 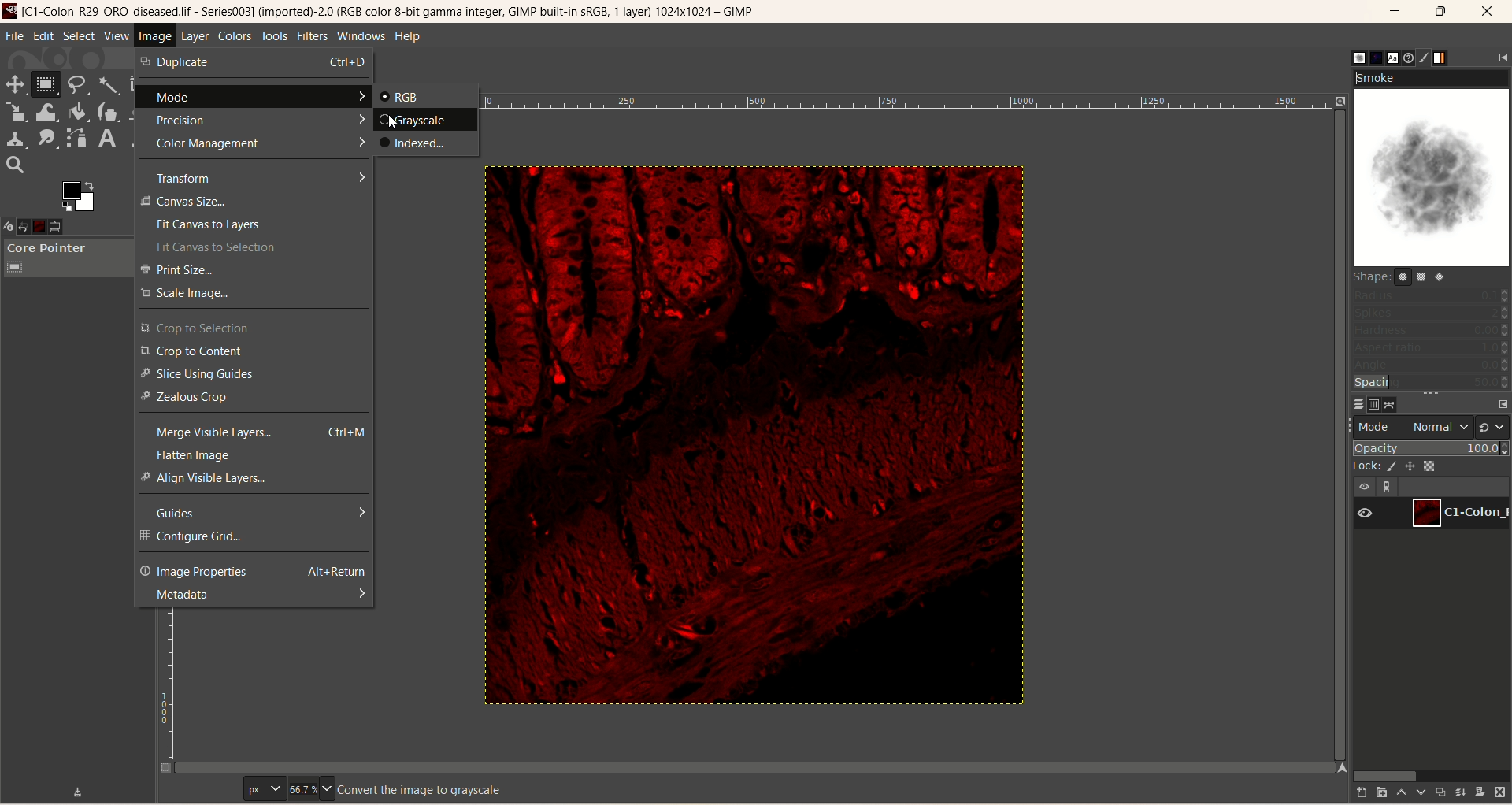 I want to click on color management, so click(x=256, y=146).